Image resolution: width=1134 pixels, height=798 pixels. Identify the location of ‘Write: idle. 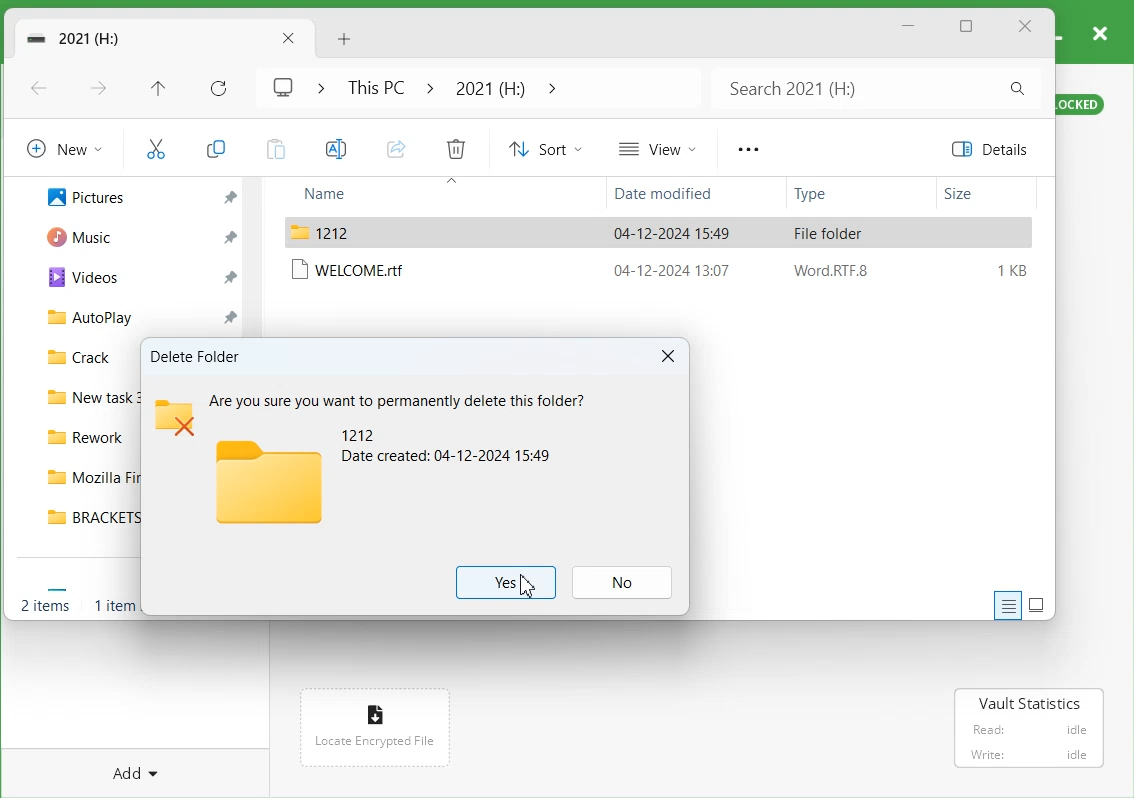
(1027, 755).